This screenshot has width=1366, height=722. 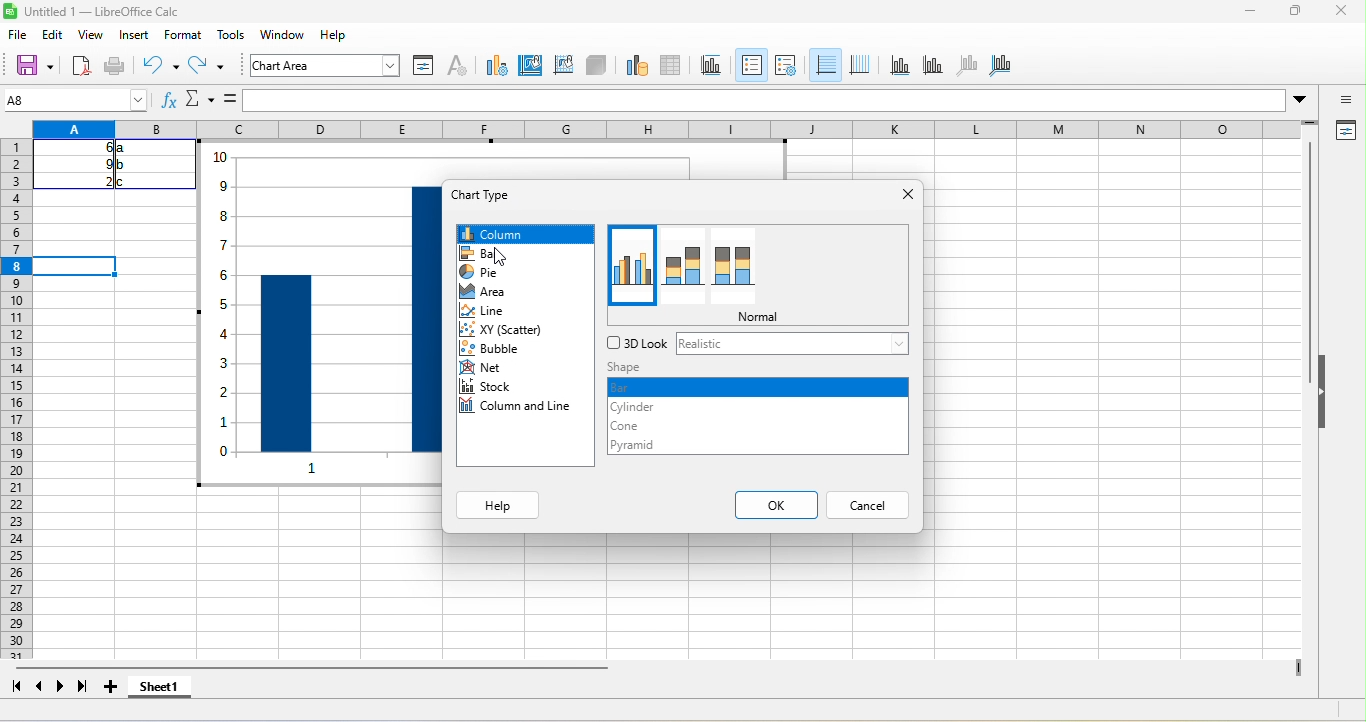 What do you see at coordinates (123, 150) in the screenshot?
I see `a` at bounding box center [123, 150].